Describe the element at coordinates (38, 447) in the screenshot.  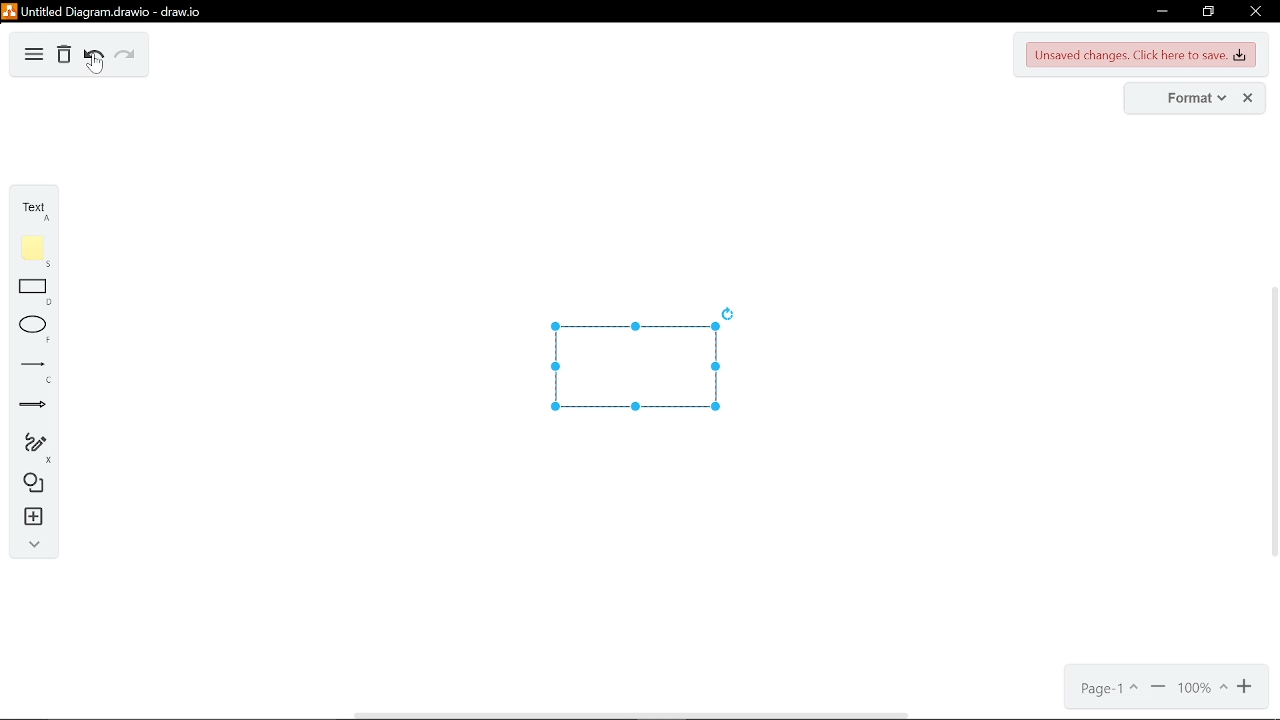
I see `freehand` at that location.